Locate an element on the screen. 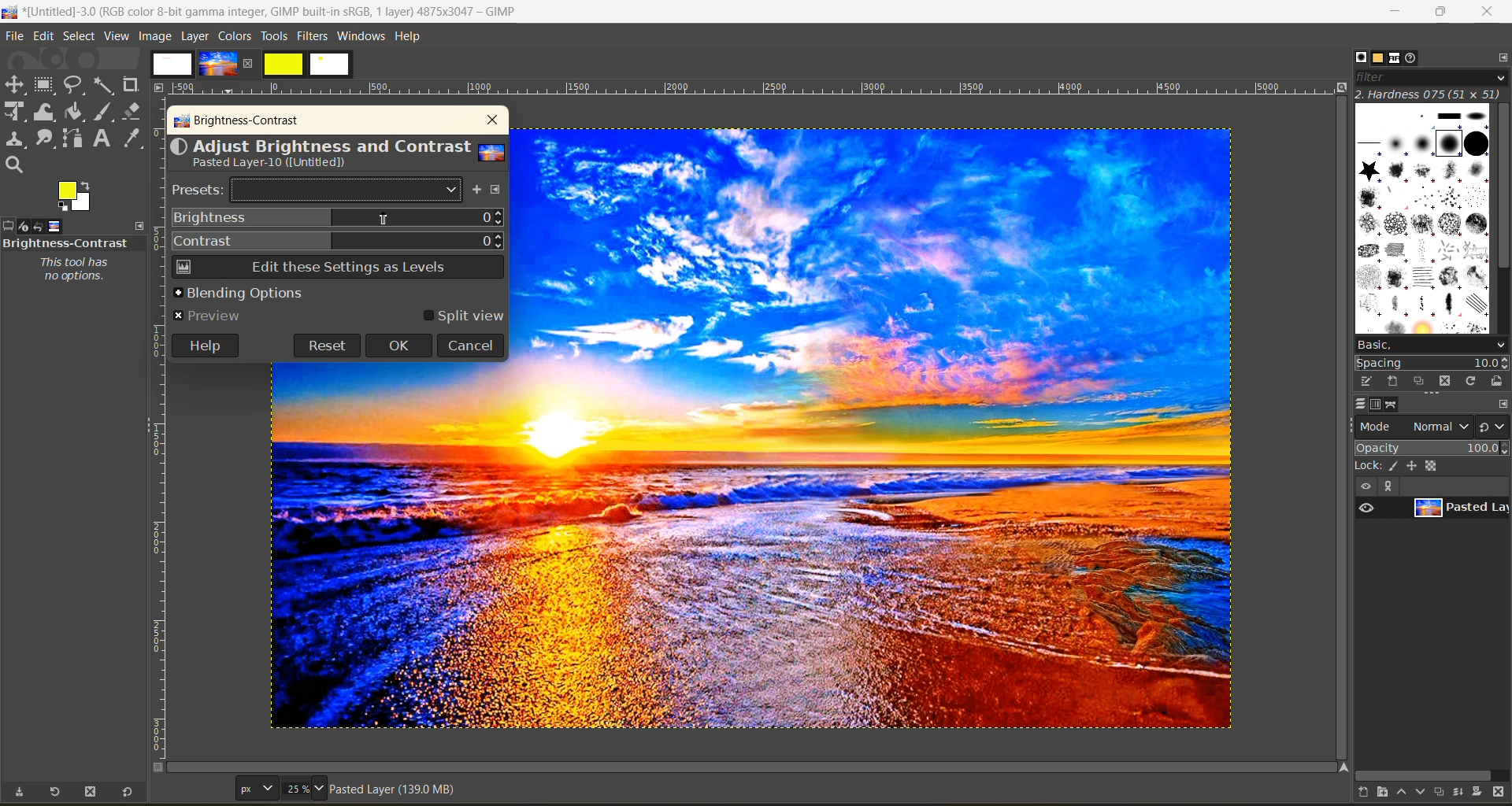 The image size is (1512, 806). undo history is located at coordinates (37, 227).